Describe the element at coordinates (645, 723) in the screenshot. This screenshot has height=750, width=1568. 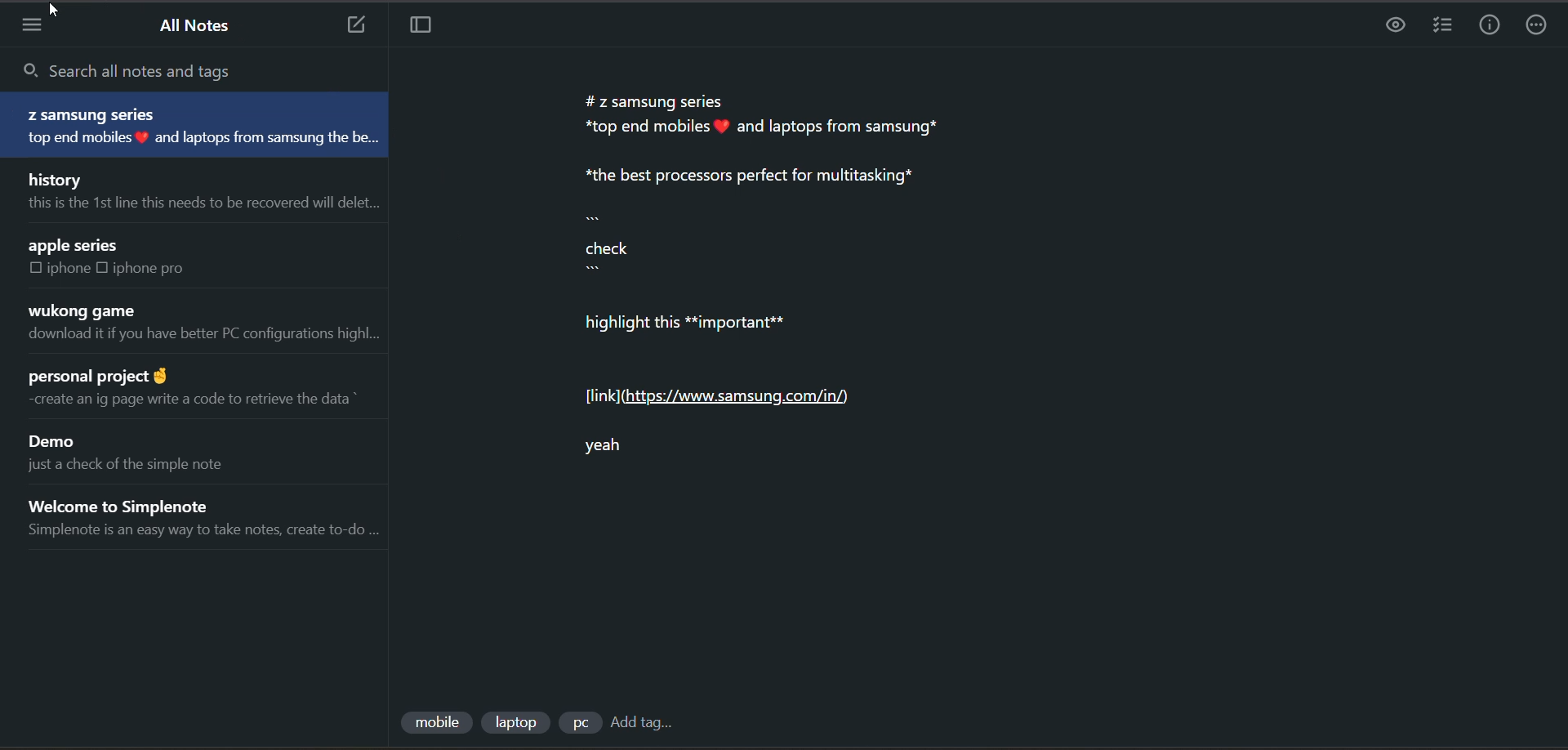
I see `add tag` at that location.